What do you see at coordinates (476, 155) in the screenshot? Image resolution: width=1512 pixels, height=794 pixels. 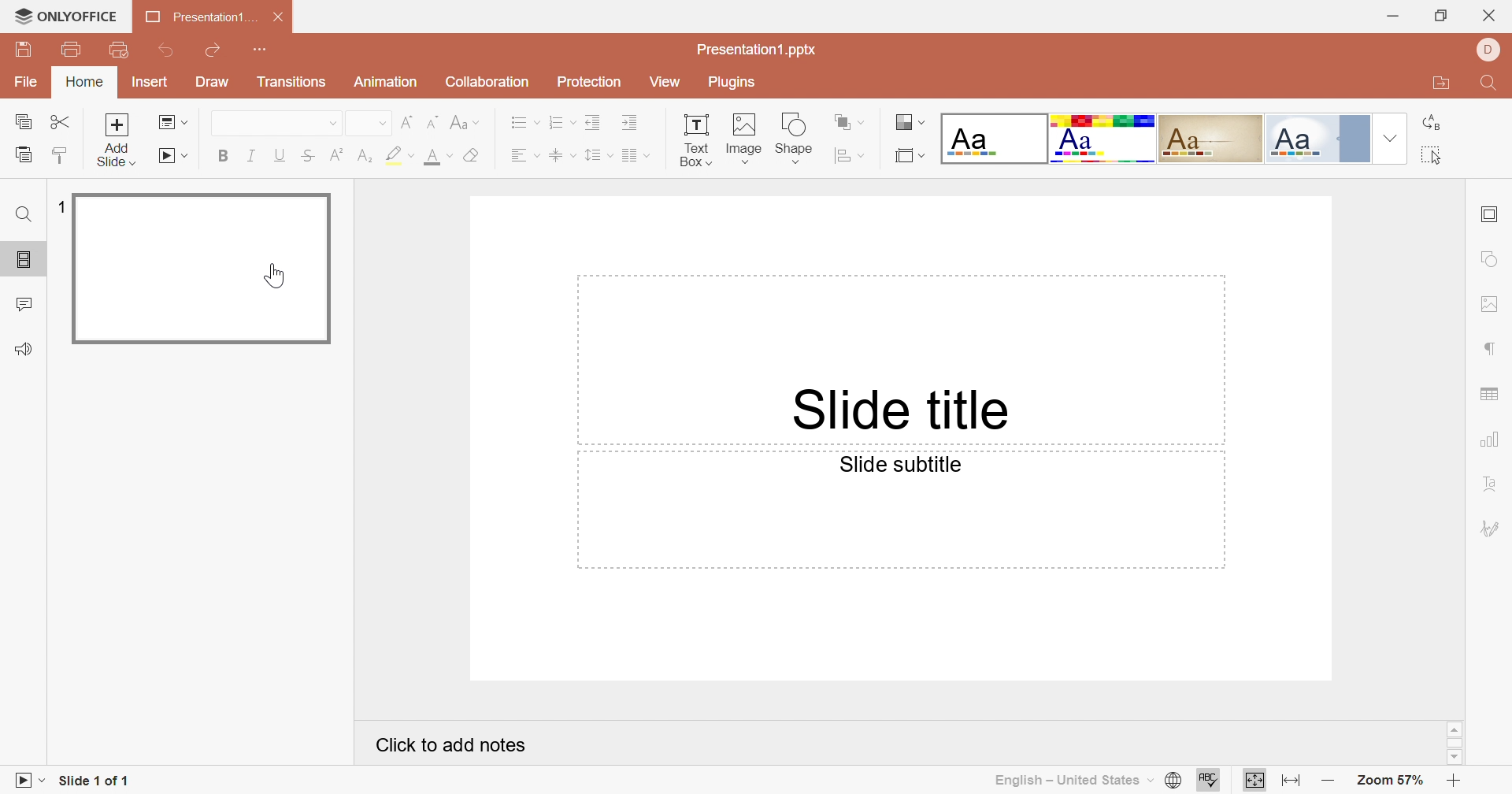 I see `Clear style` at bounding box center [476, 155].